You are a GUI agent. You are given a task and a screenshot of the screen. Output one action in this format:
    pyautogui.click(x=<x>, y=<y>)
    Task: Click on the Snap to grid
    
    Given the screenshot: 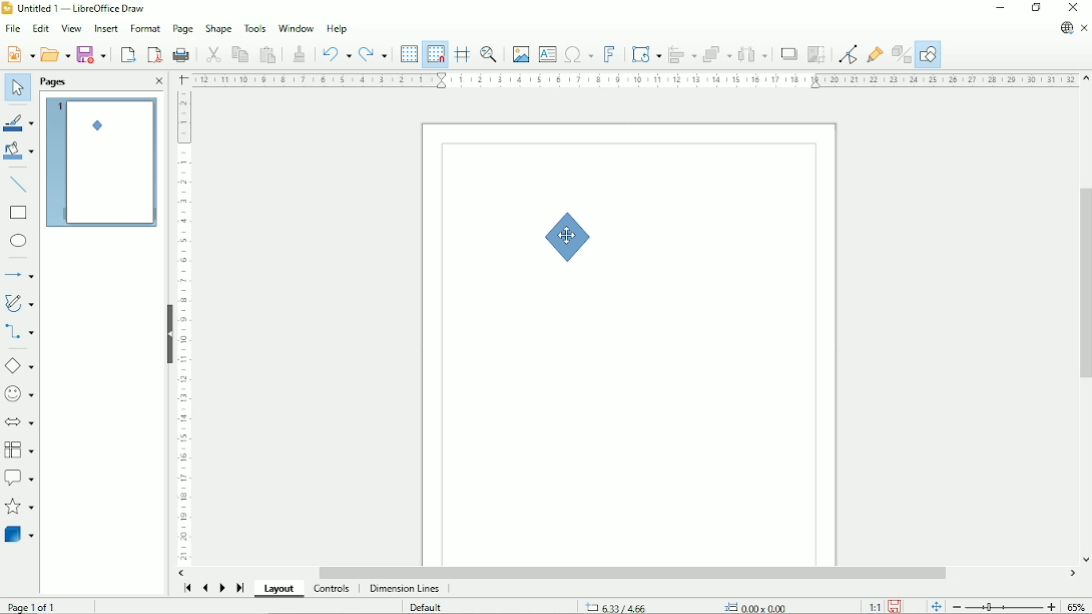 What is the action you would take?
    pyautogui.click(x=436, y=54)
    